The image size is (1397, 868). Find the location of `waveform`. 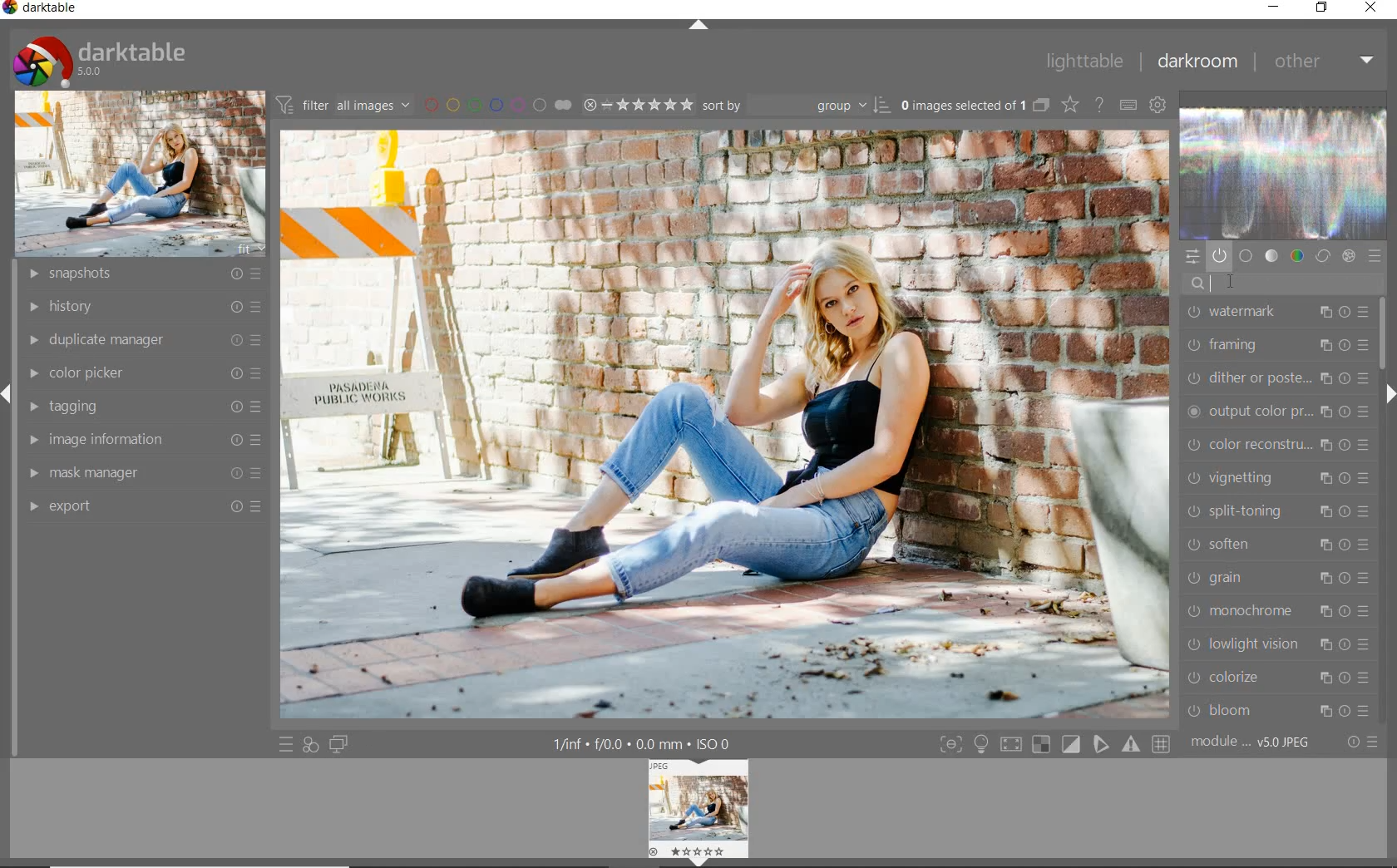

waveform is located at coordinates (1285, 172).